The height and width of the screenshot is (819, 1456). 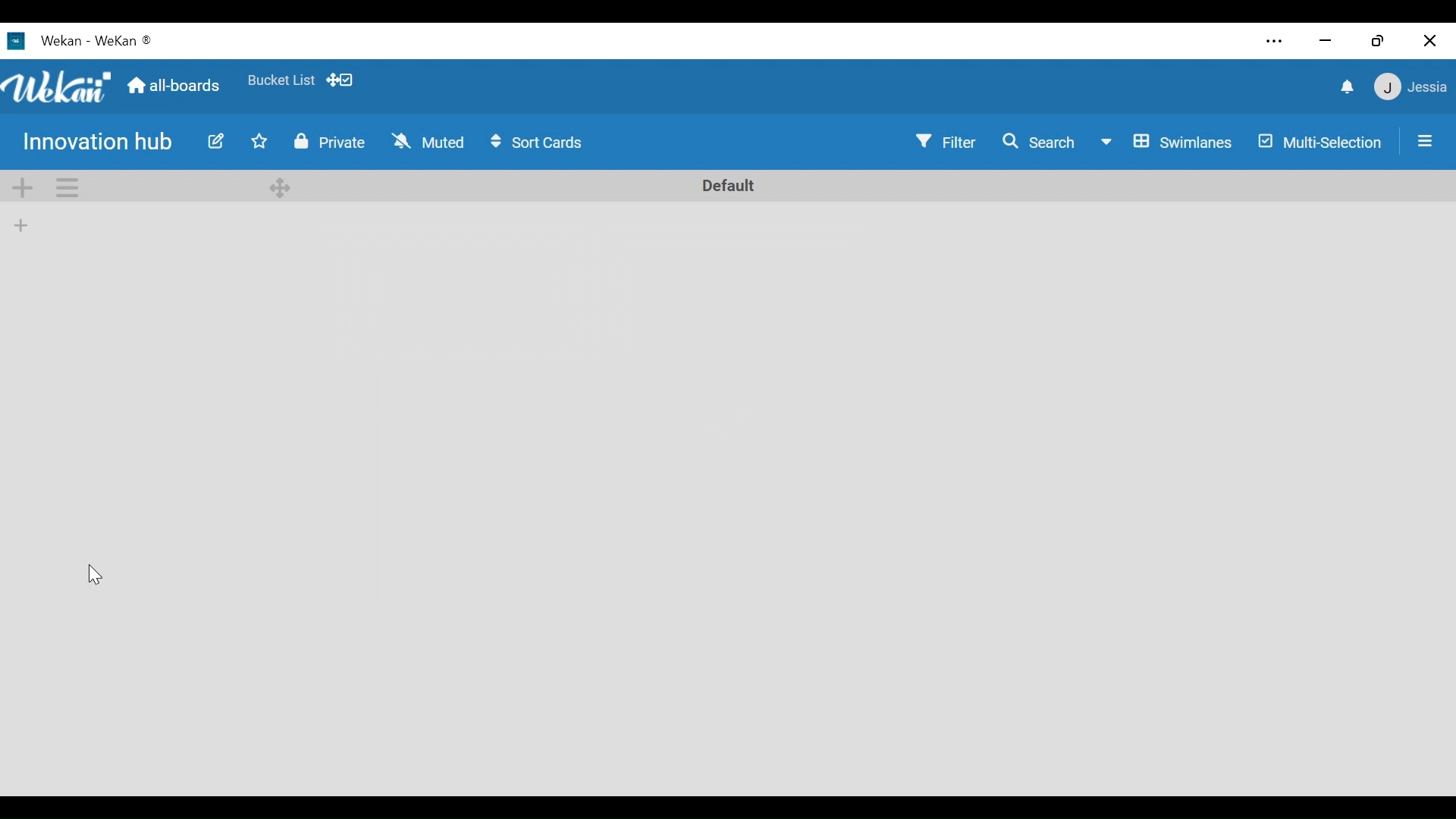 I want to click on Search, so click(x=1040, y=143).